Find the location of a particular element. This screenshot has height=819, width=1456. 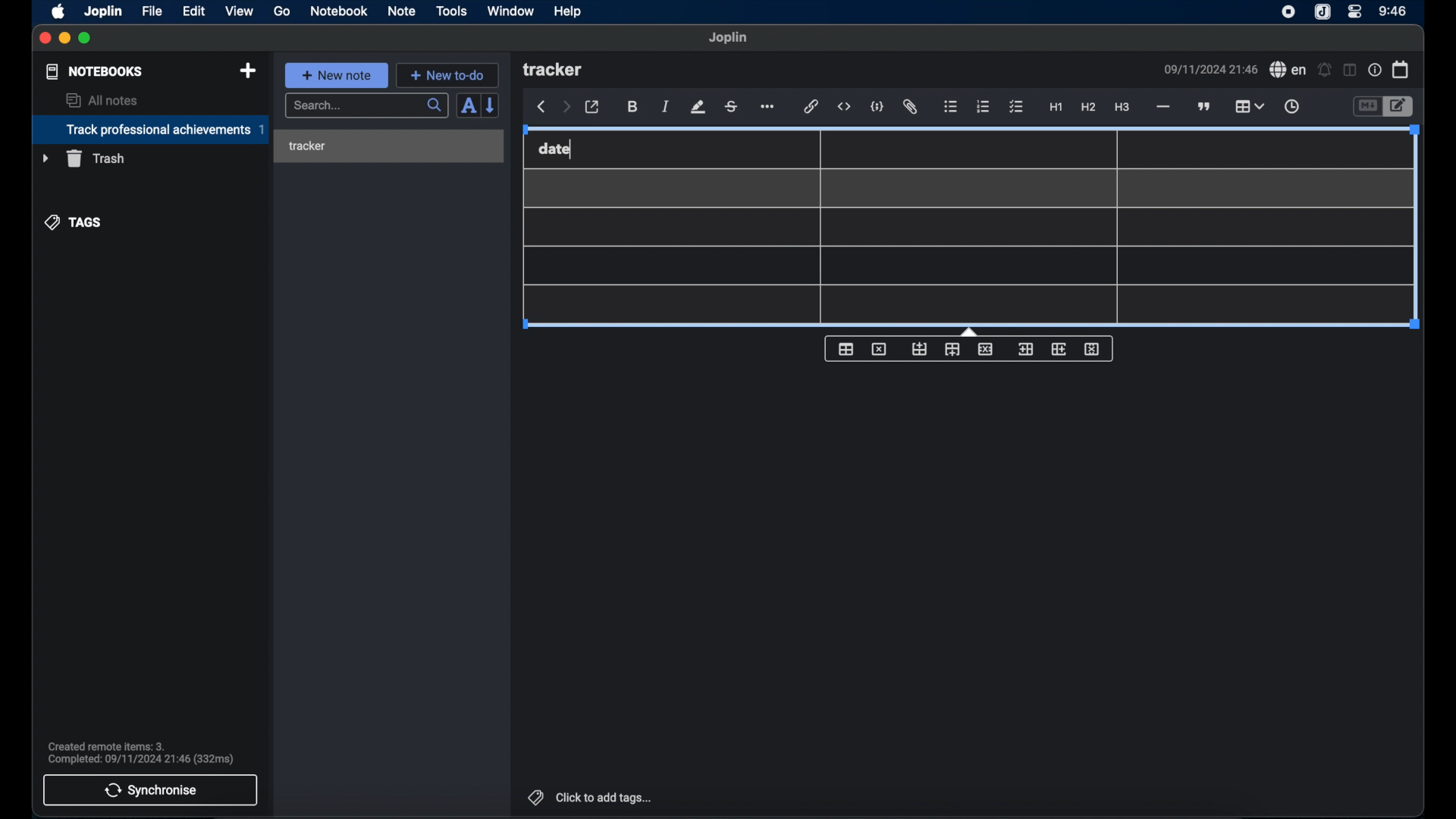

attach file is located at coordinates (912, 108).